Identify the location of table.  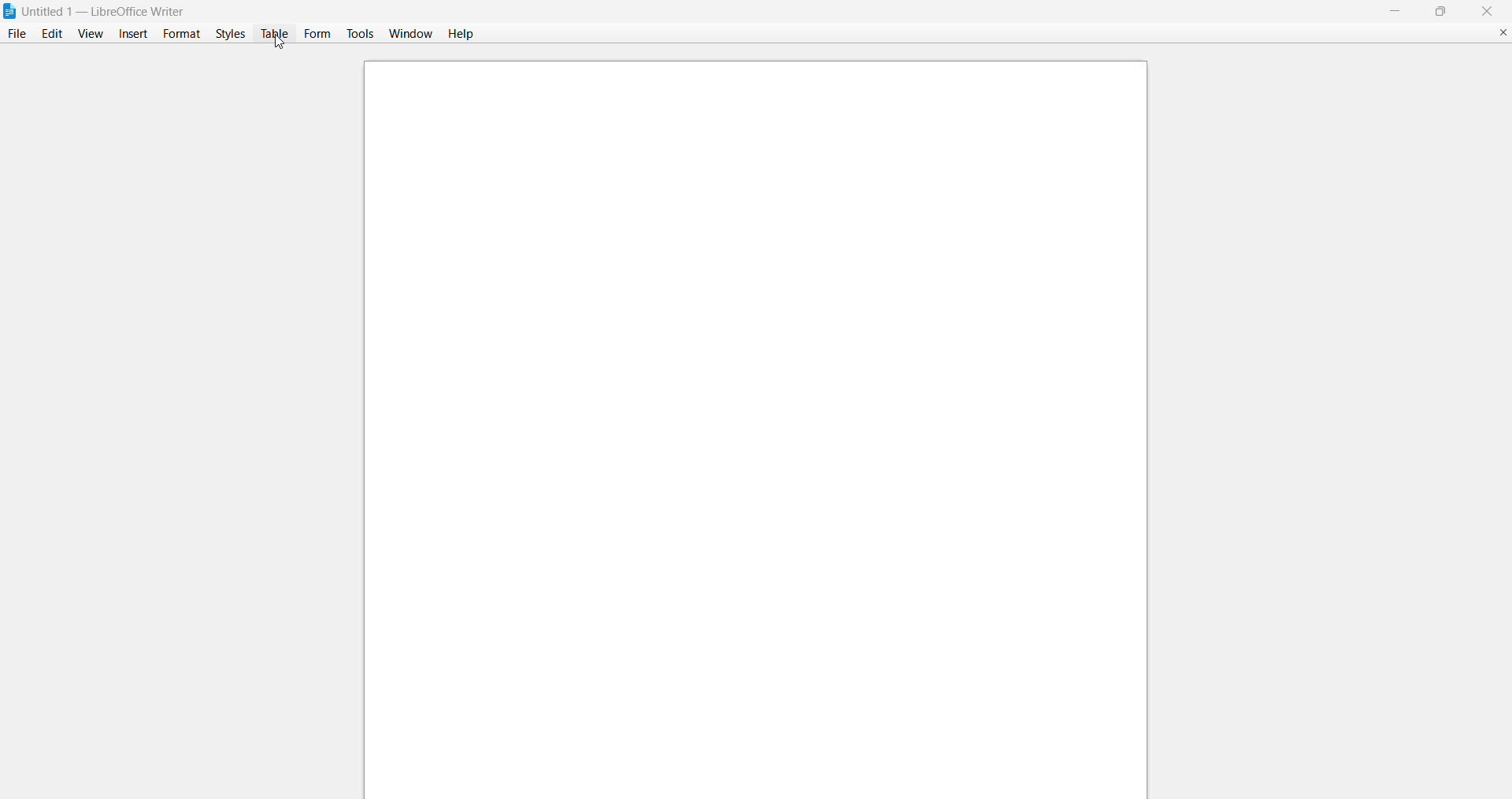
(274, 34).